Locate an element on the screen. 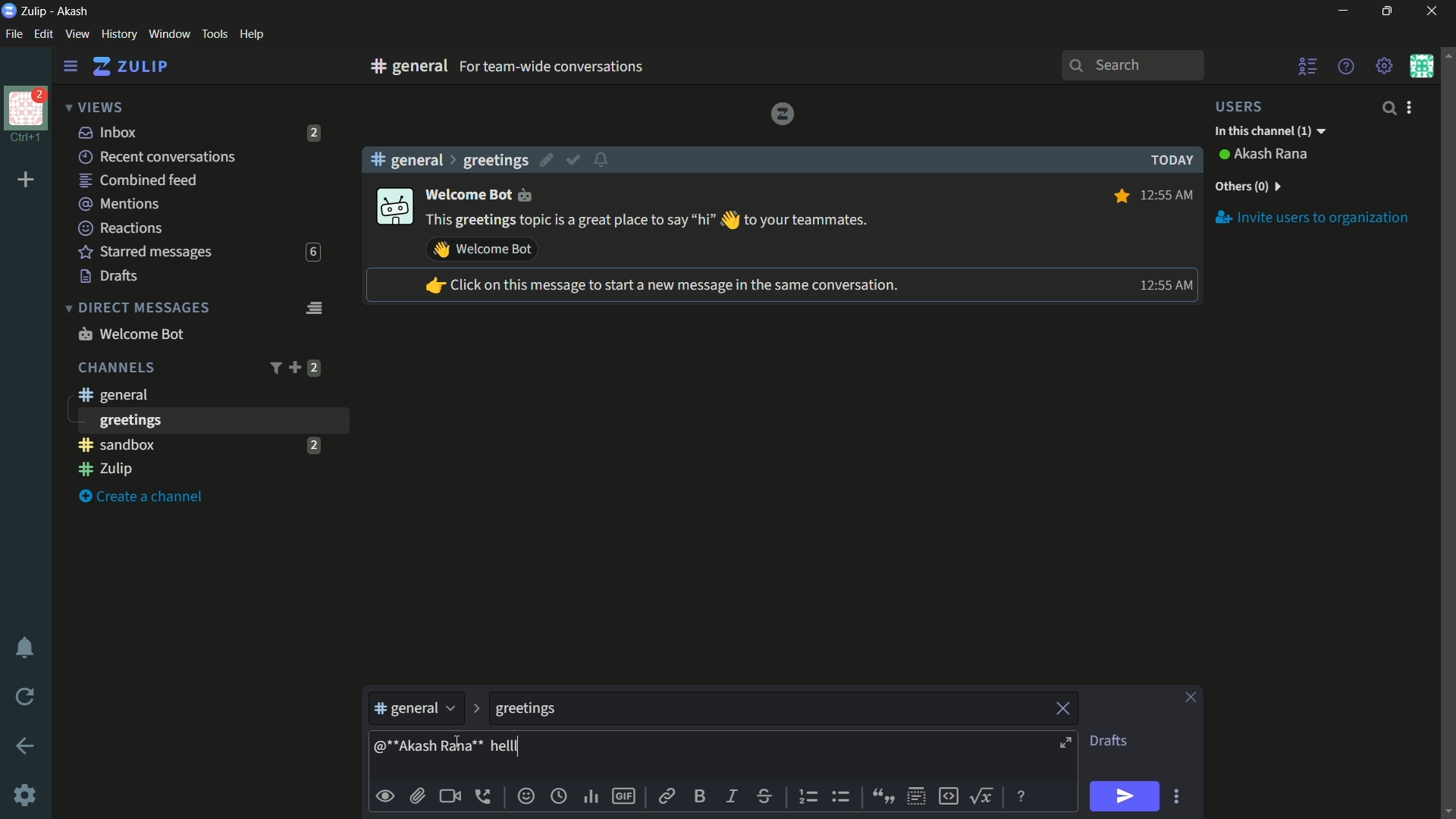 The height and width of the screenshot is (819, 1456). help menu is located at coordinates (1345, 66).